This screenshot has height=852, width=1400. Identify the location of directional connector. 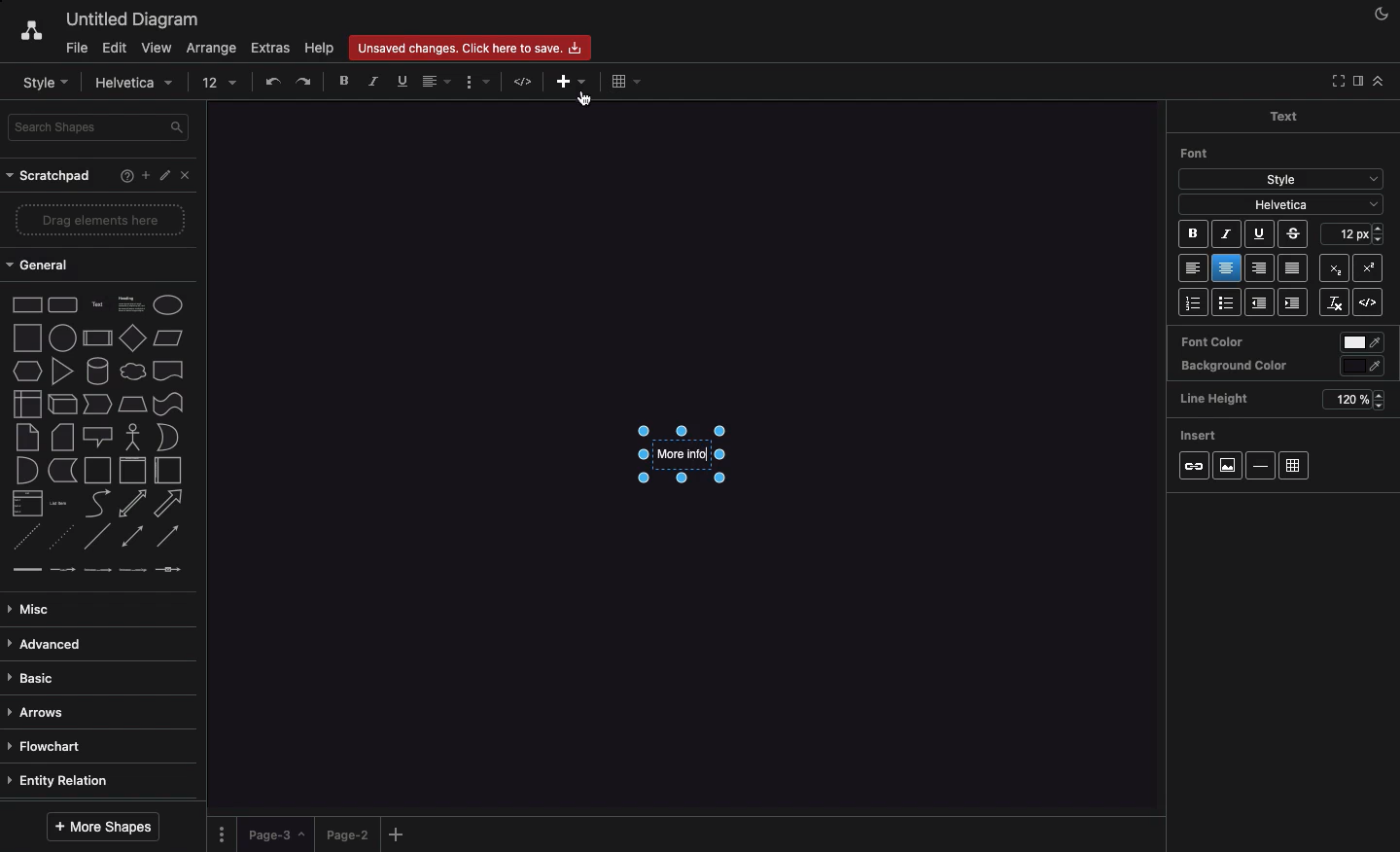
(168, 537).